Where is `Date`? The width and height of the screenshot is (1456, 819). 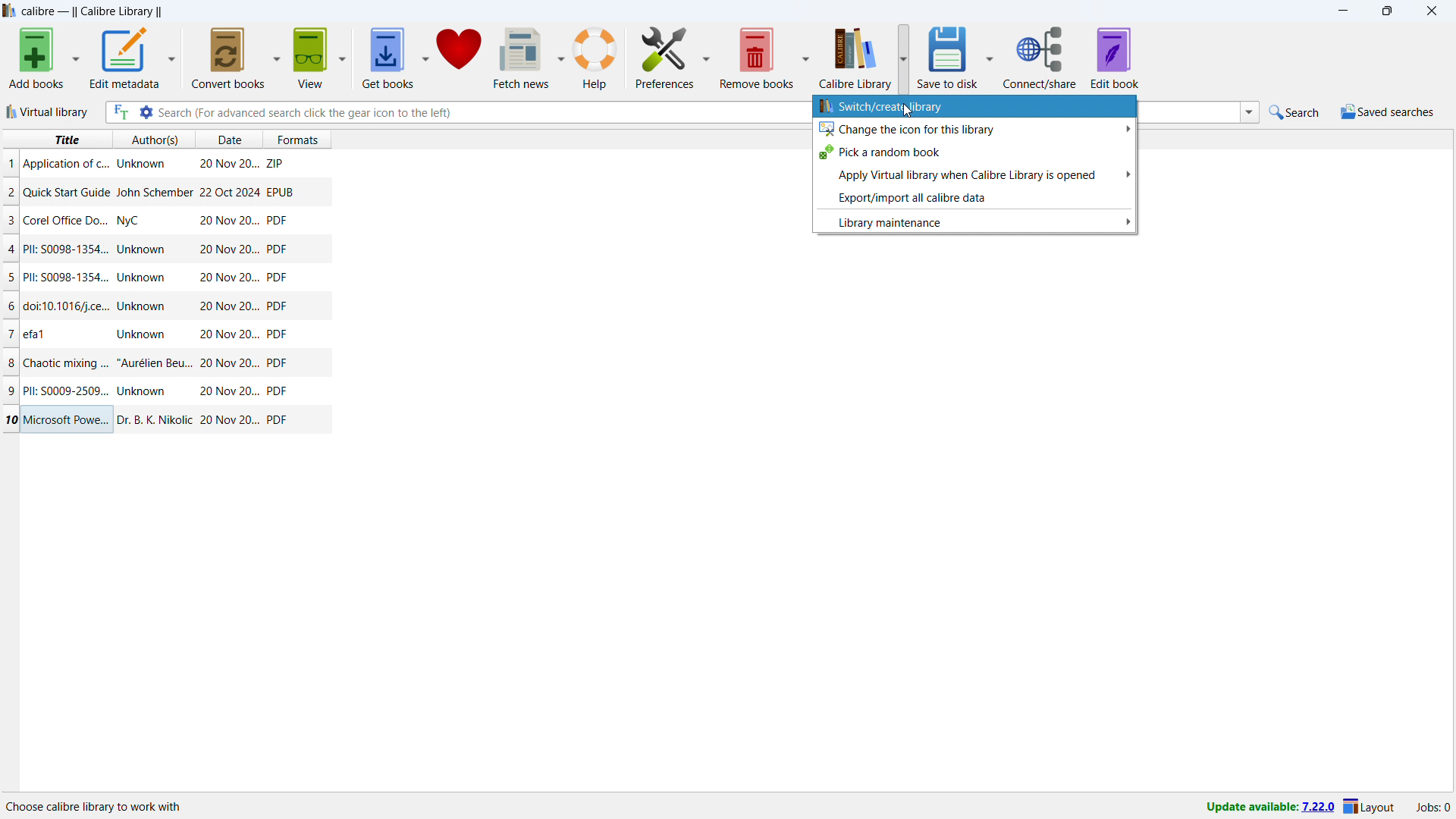
Date is located at coordinates (229, 249).